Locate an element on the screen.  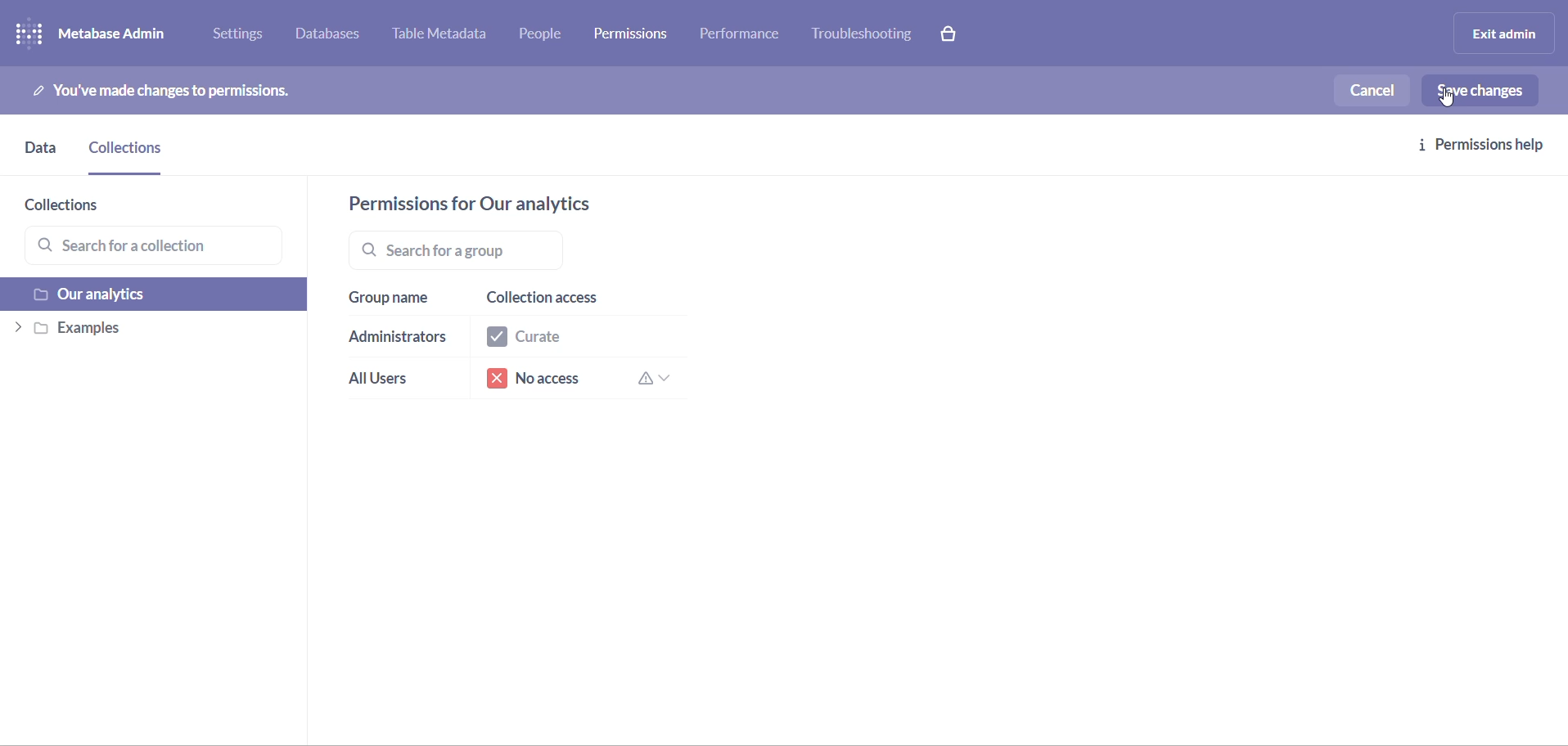
cursor is located at coordinates (1454, 101).